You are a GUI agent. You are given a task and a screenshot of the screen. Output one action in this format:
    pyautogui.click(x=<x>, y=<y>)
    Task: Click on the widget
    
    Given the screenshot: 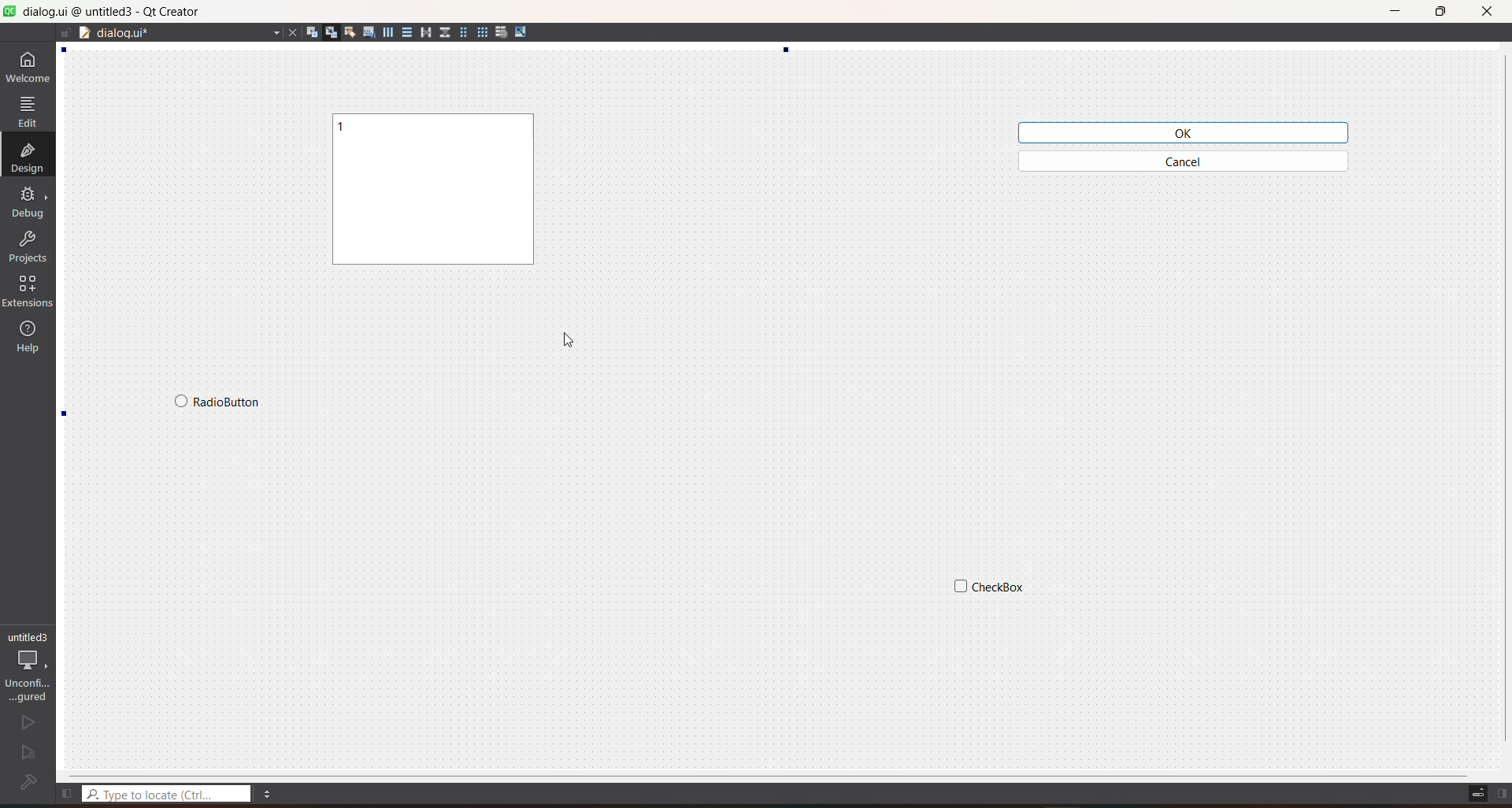 What is the action you would take?
    pyautogui.click(x=432, y=191)
    